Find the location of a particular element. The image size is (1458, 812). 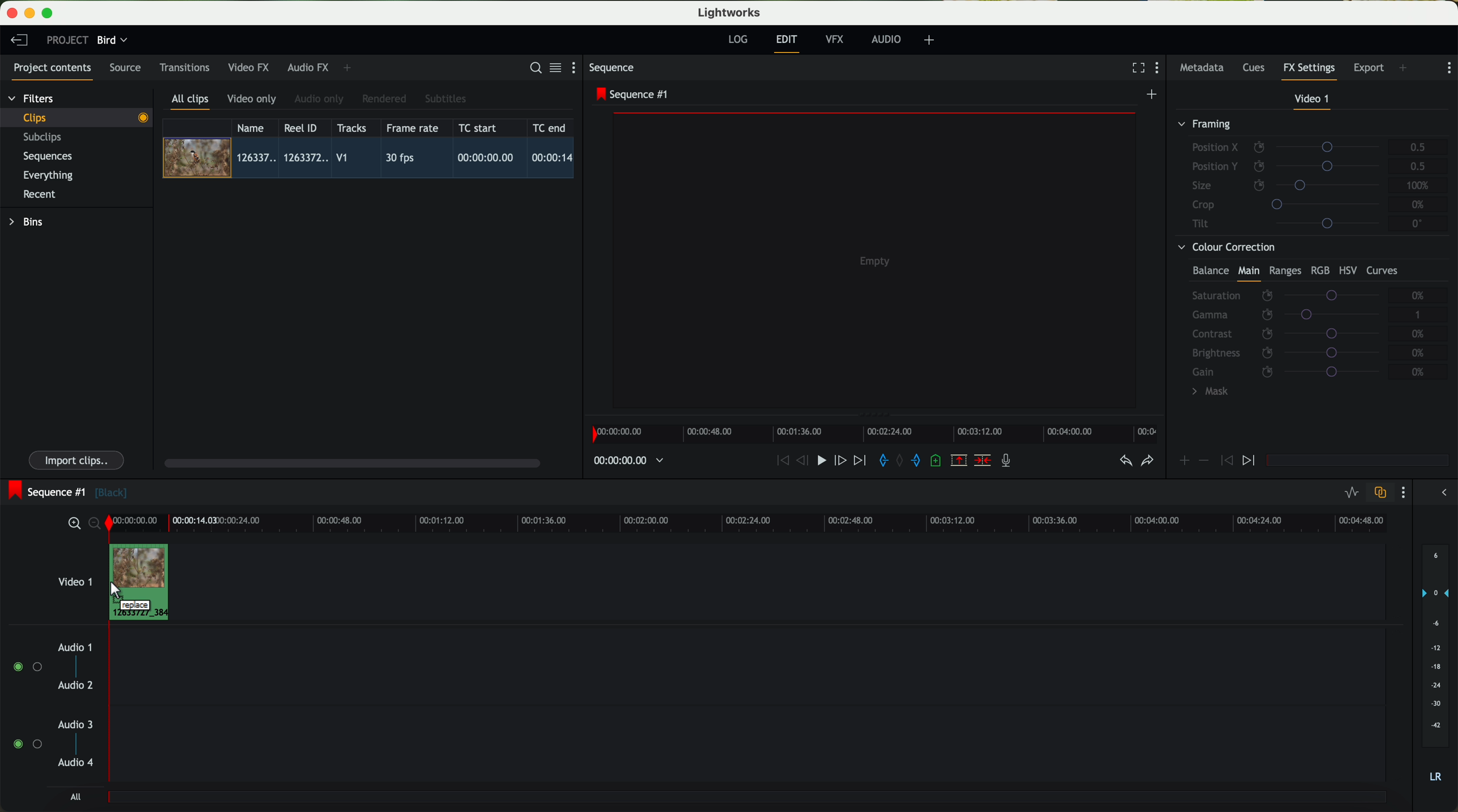

toggle audio levels editing is located at coordinates (1351, 494).